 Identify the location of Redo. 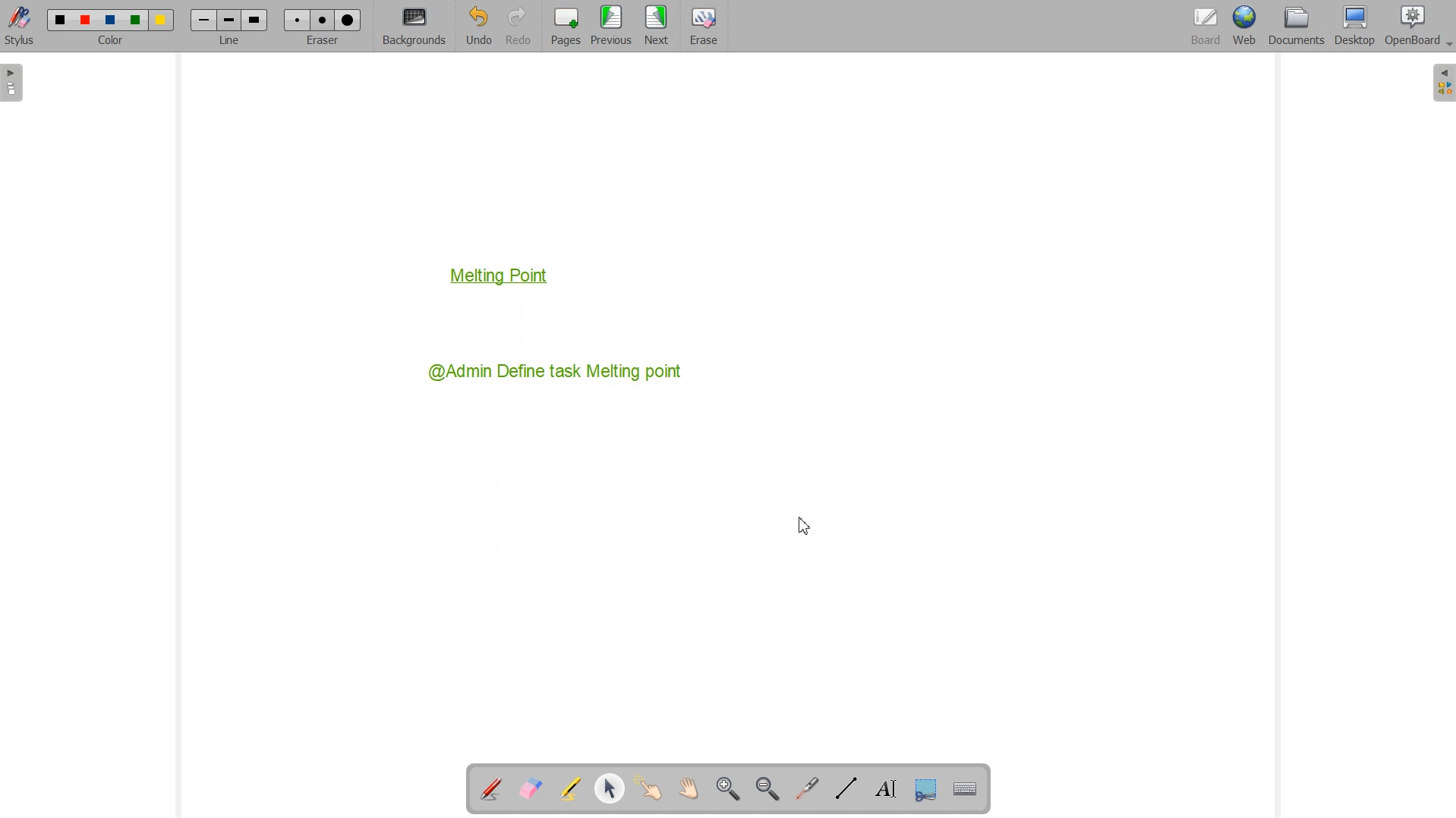
(518, 26).